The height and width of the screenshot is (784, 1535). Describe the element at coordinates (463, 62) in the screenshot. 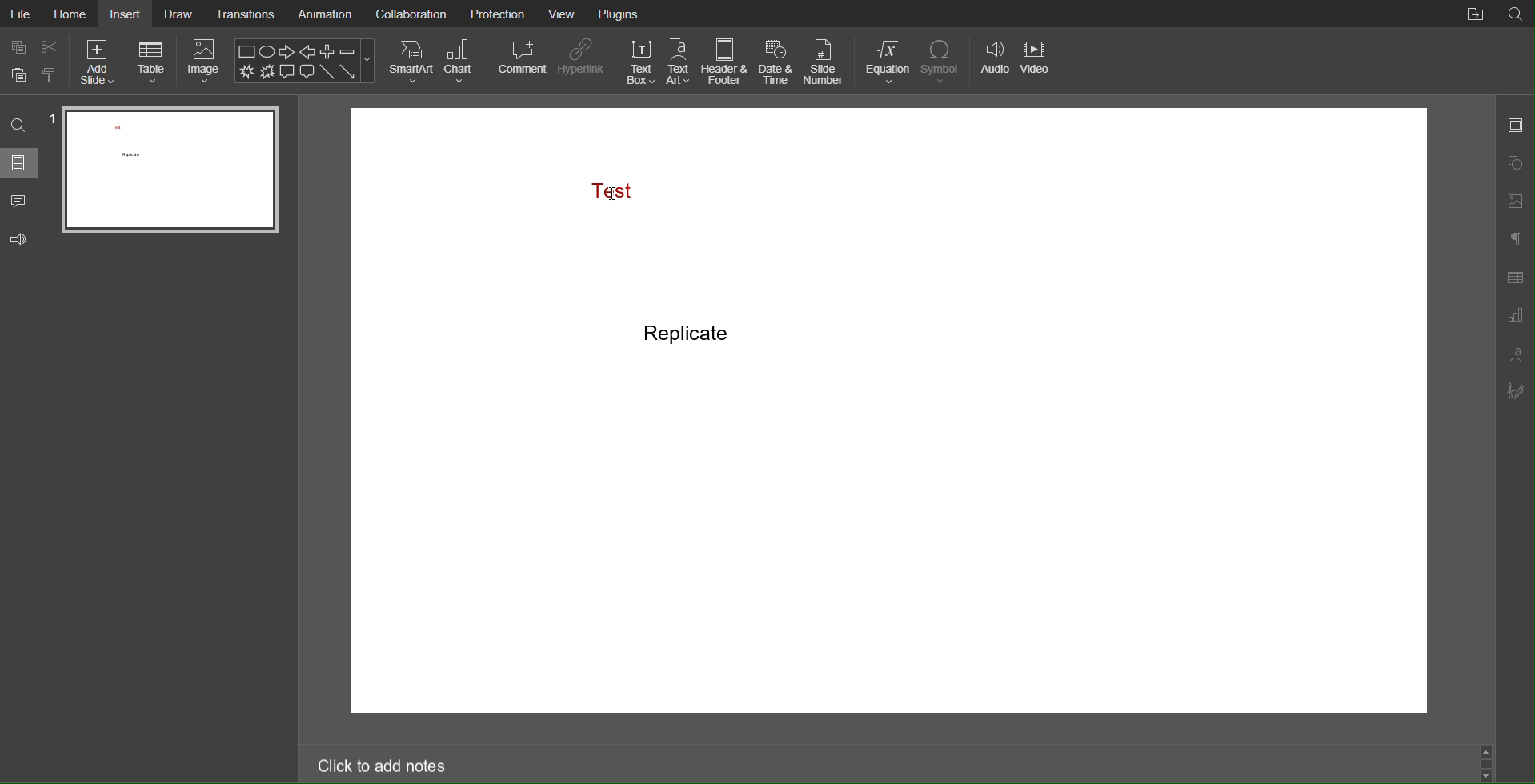

I see `Chart` at that location.